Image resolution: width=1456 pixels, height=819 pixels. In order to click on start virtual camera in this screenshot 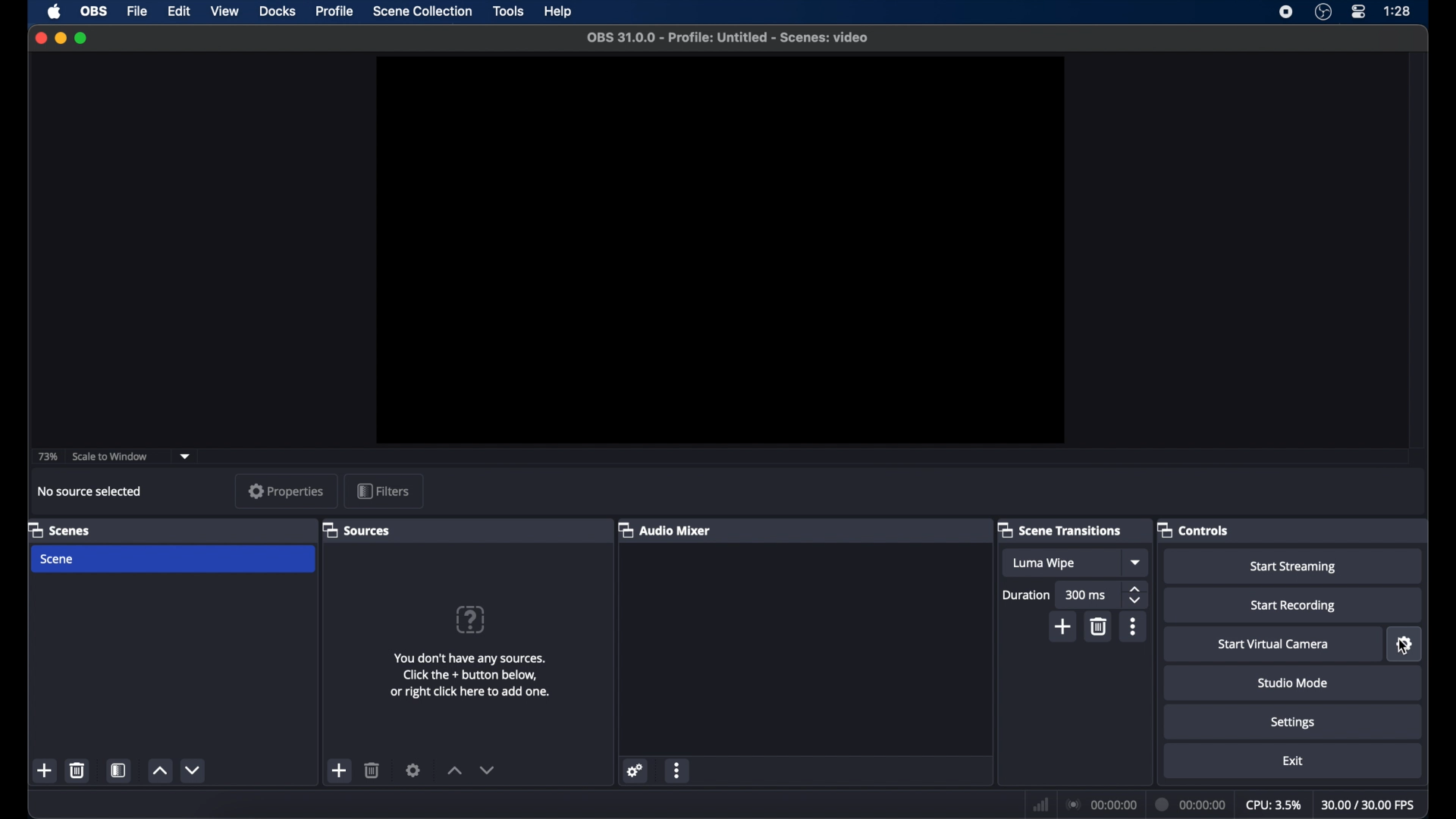, I will do `click(1273, 645)`.